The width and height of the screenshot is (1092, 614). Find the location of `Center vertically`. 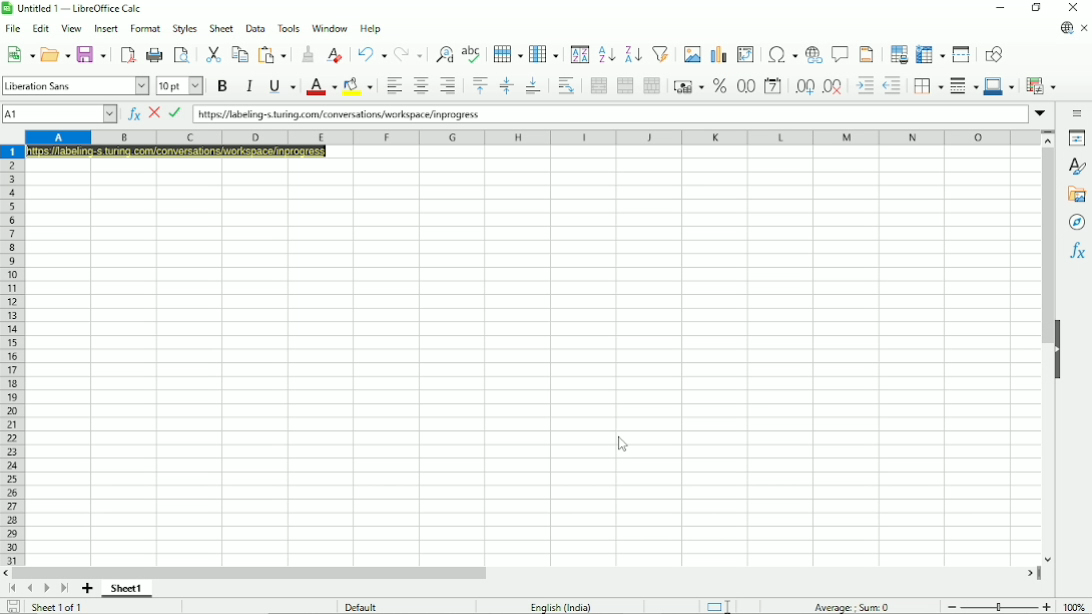

Center vertically is located at coordinates (506, 86).